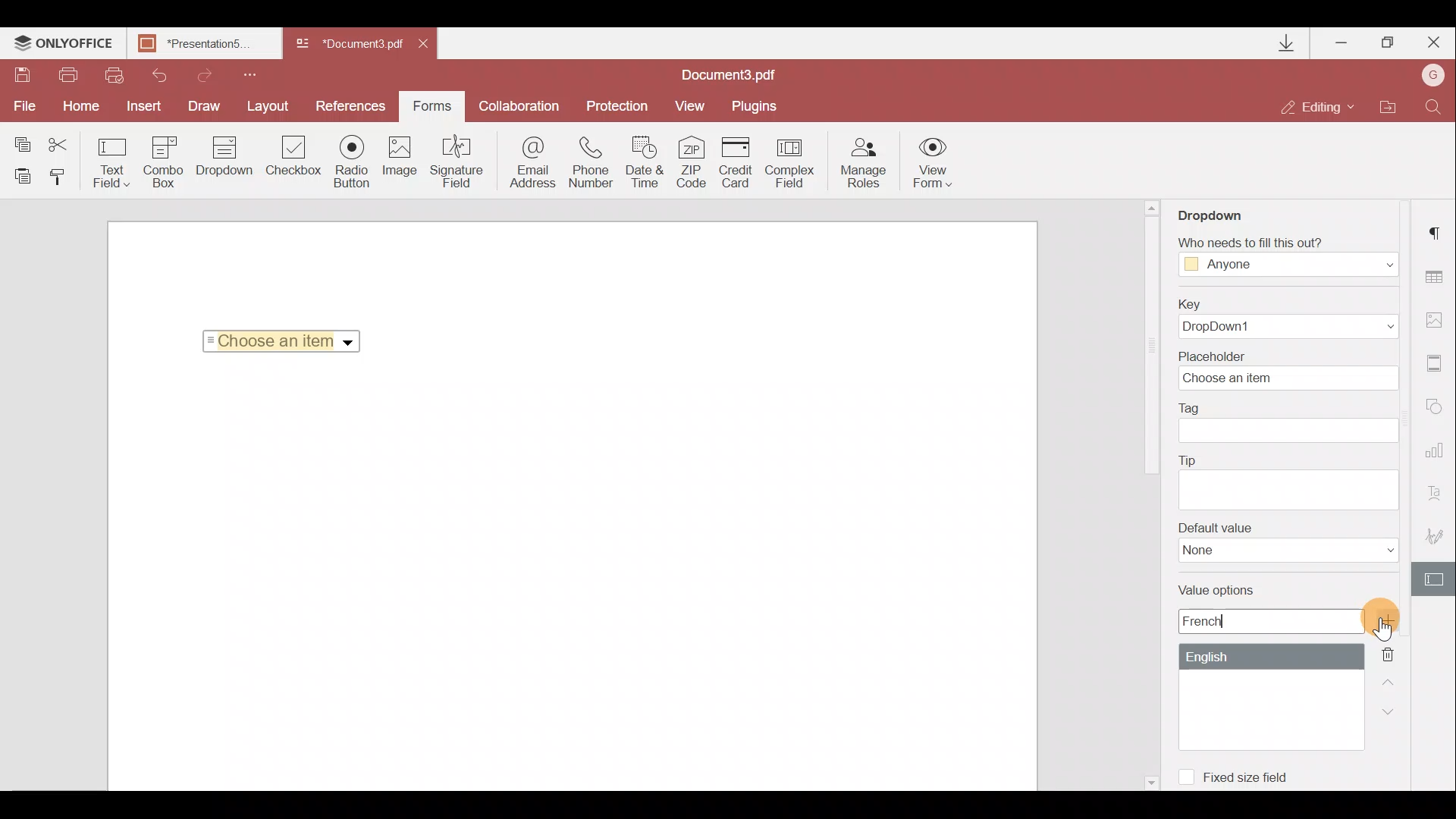 Image resolution: width=1456 pixels, height=819 pixels. Describe the element at coordinates (740, 160) in the screenshot. I see `Credit card` at that location.